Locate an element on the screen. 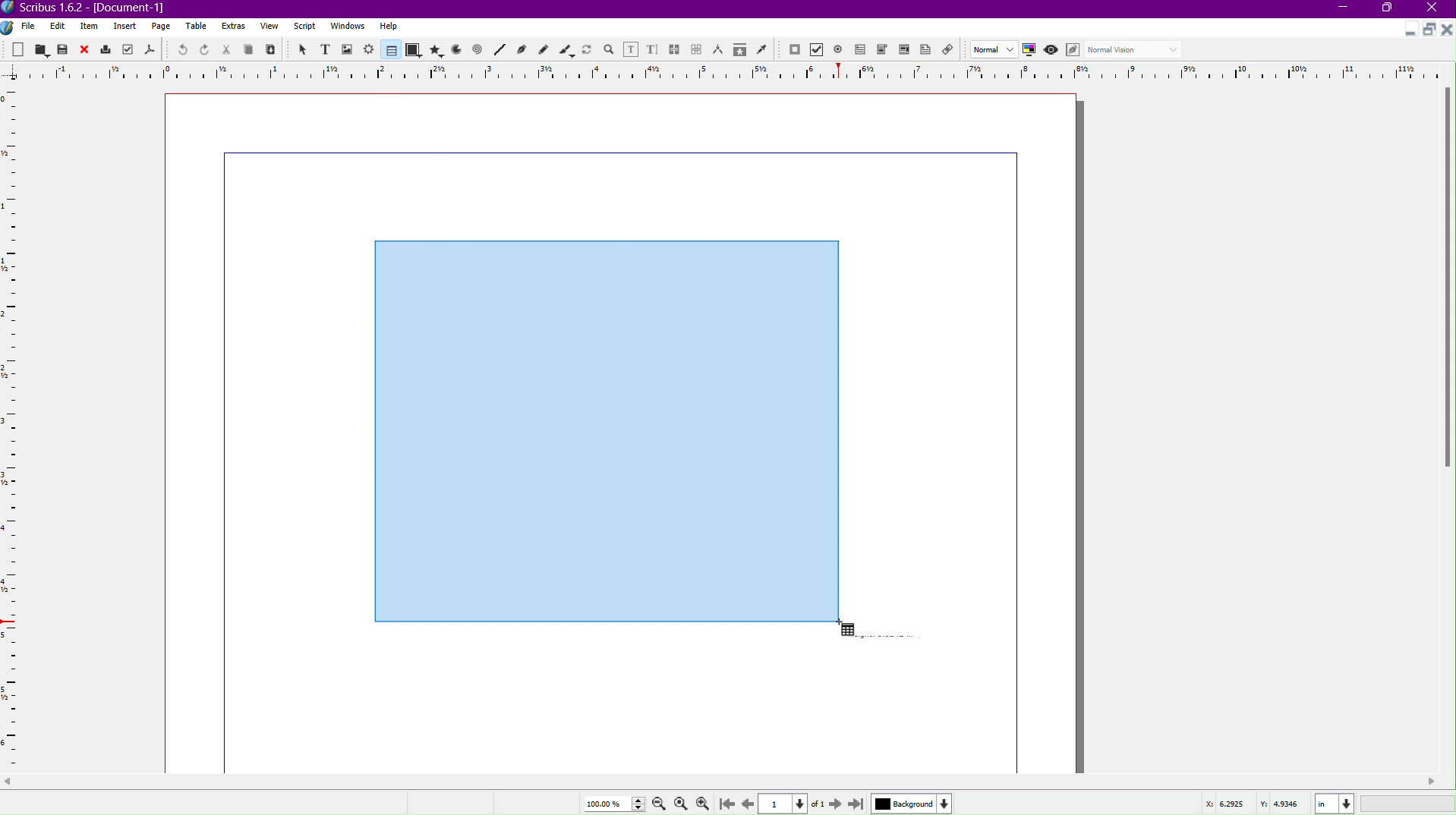 The image size is (1456, 815). Image Preview Quality is located at coordinates (994, 49).